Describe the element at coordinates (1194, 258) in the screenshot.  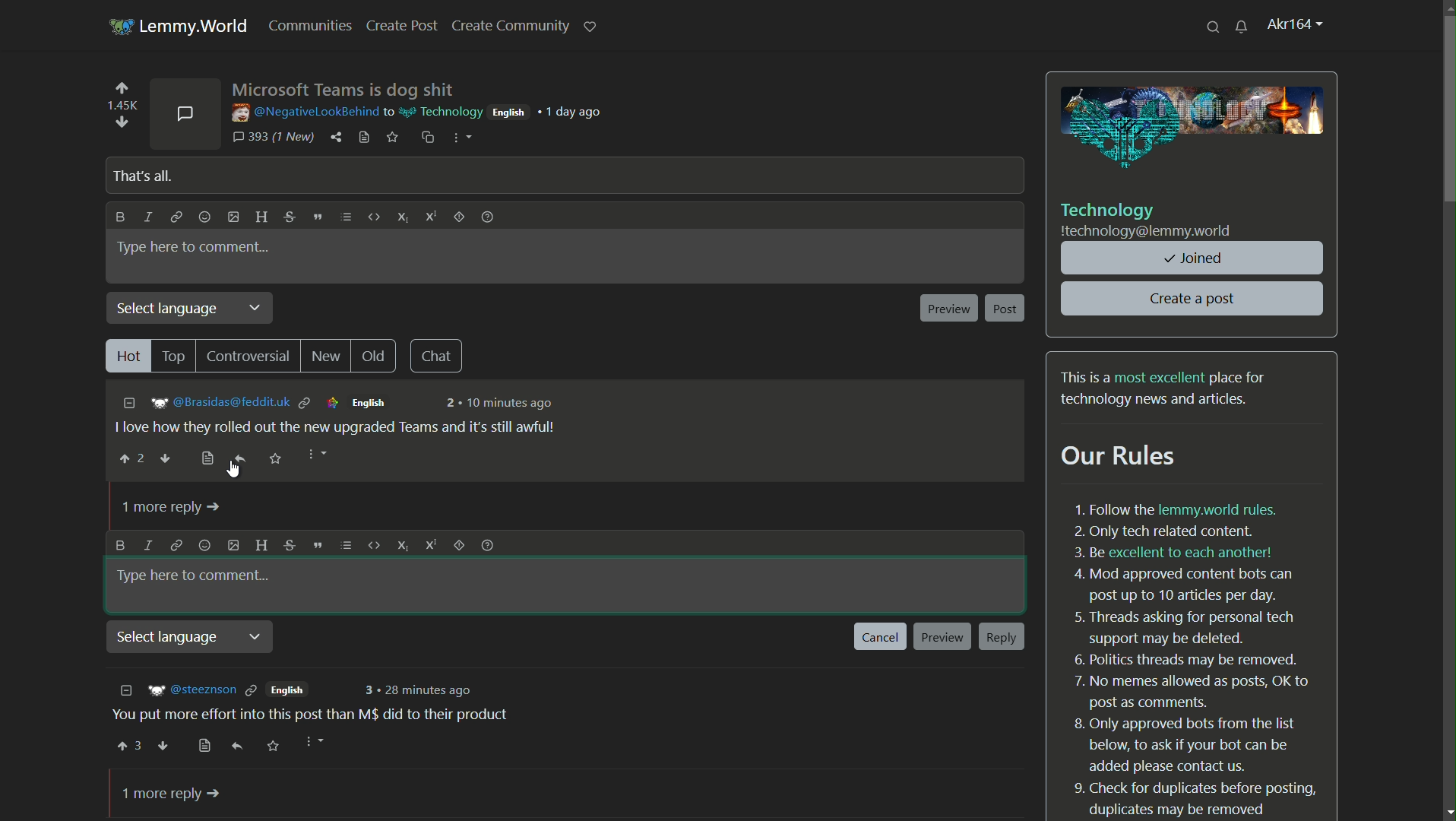
I see `joined` at that location.